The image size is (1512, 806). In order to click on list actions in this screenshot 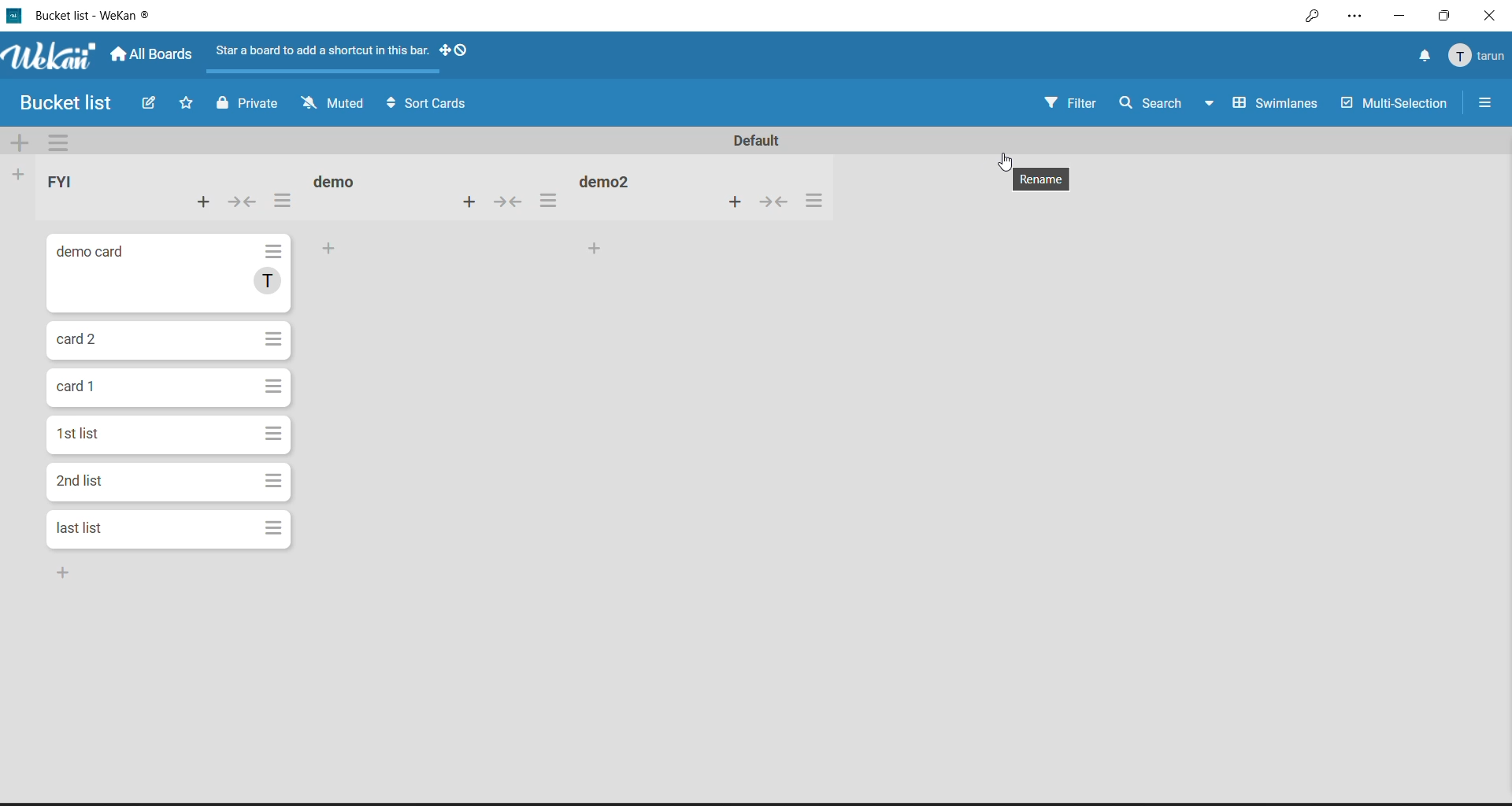, I will do `click(547, 199)`.